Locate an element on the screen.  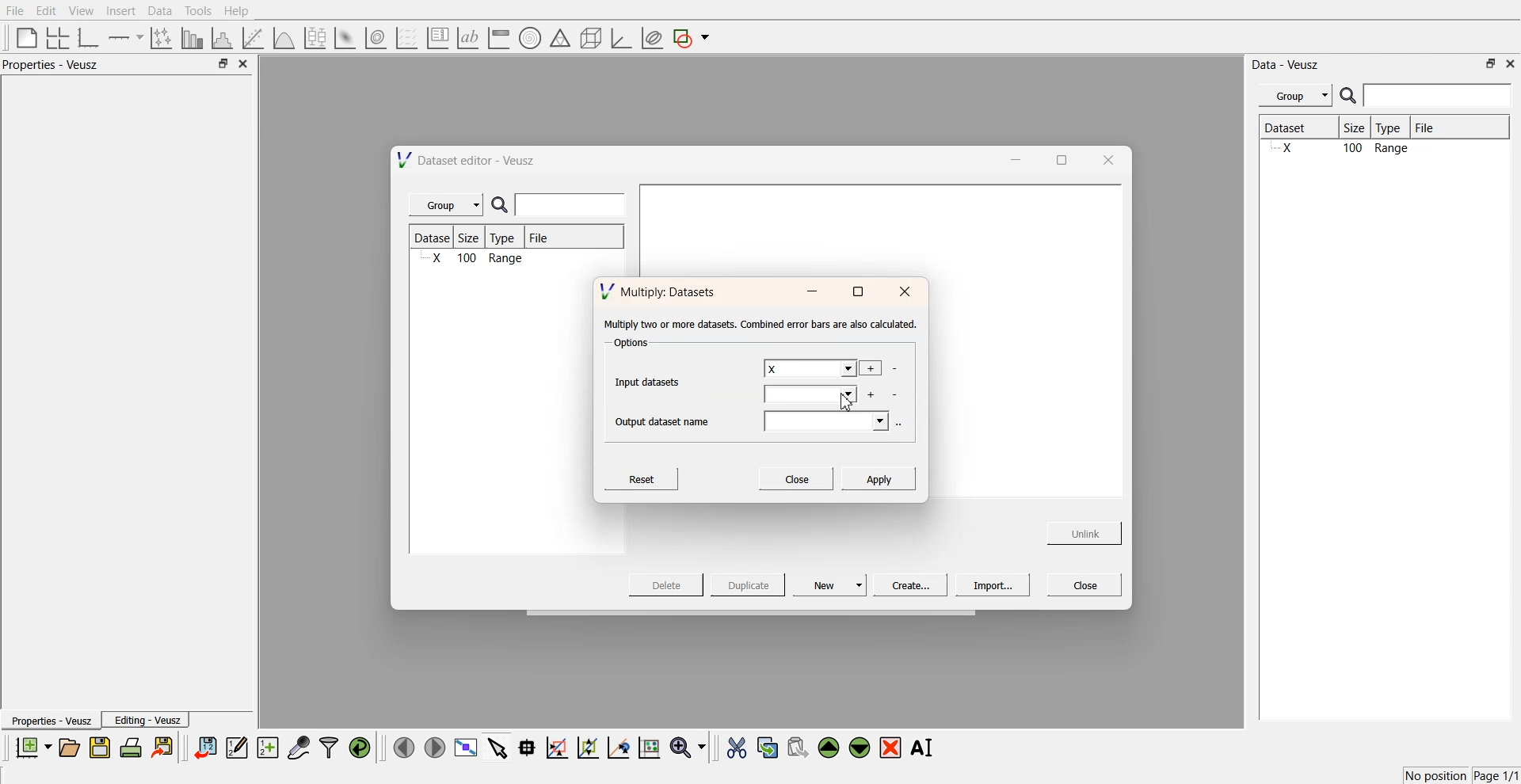
Apply is located at coordinates (879, 478).